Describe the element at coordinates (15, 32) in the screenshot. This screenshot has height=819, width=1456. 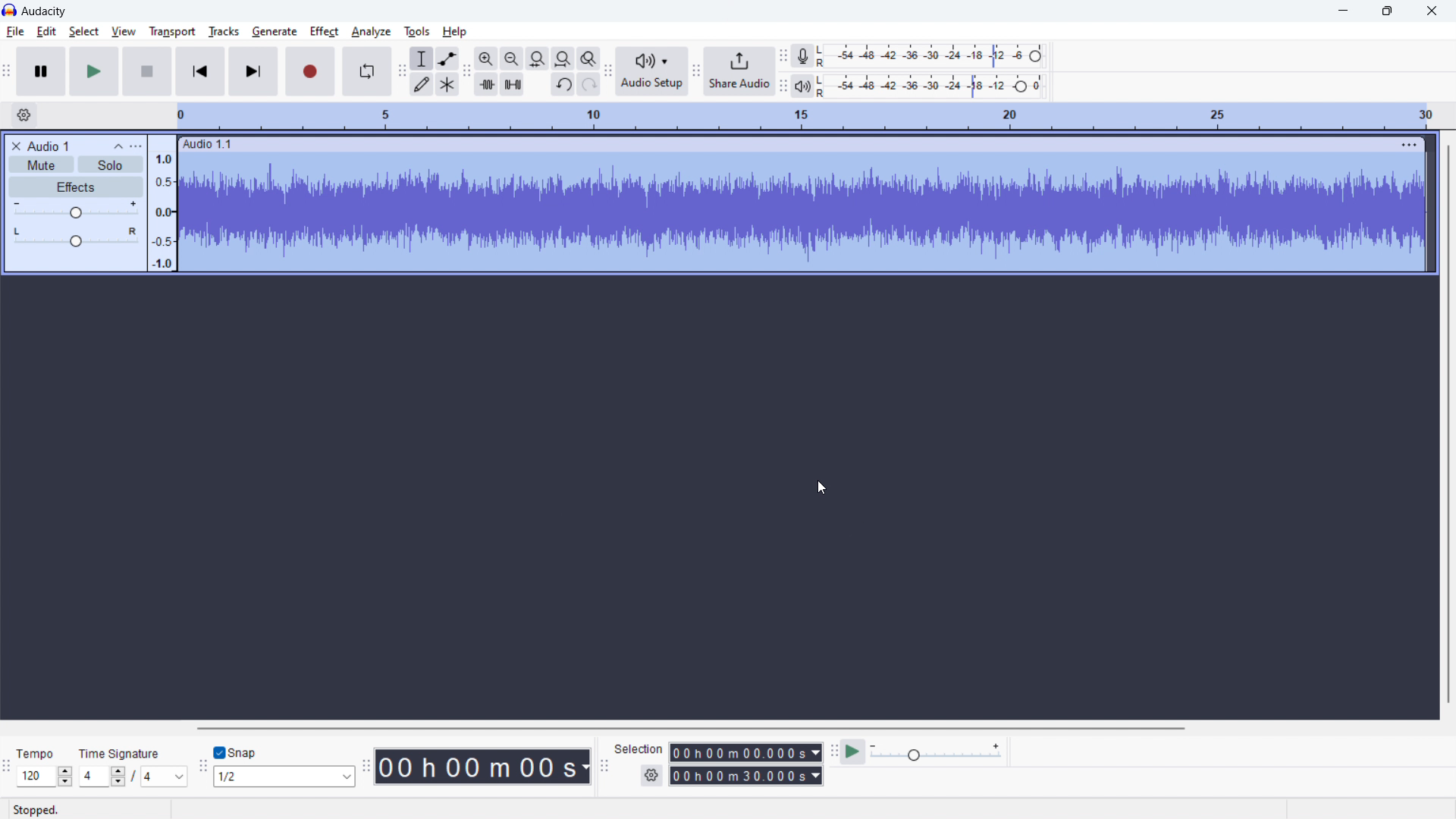
I see `file` at that location.